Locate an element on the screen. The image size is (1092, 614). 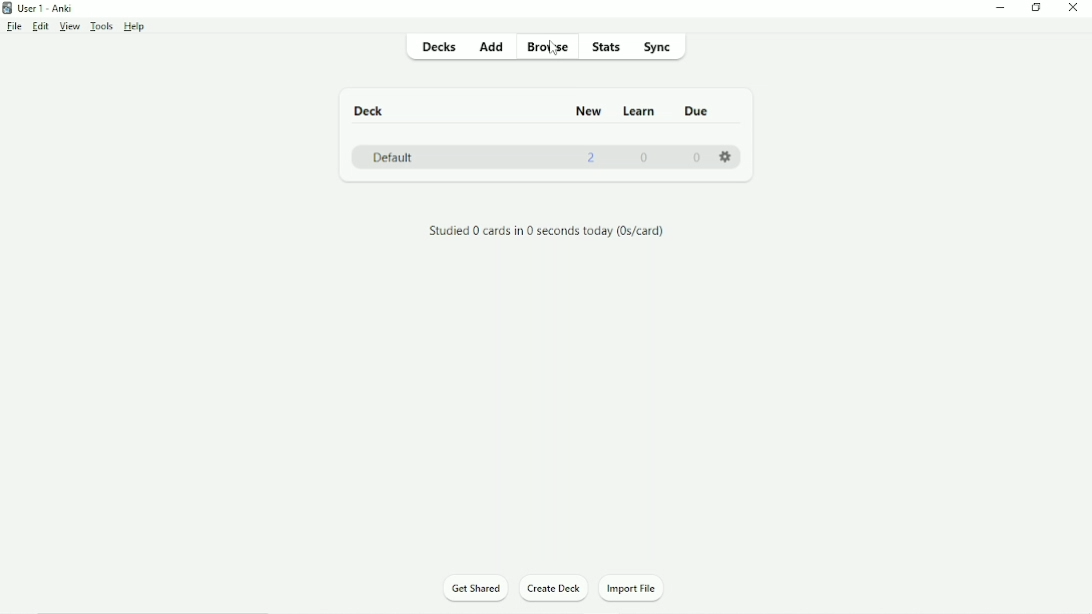
Help is located at coordinates (135, 27).